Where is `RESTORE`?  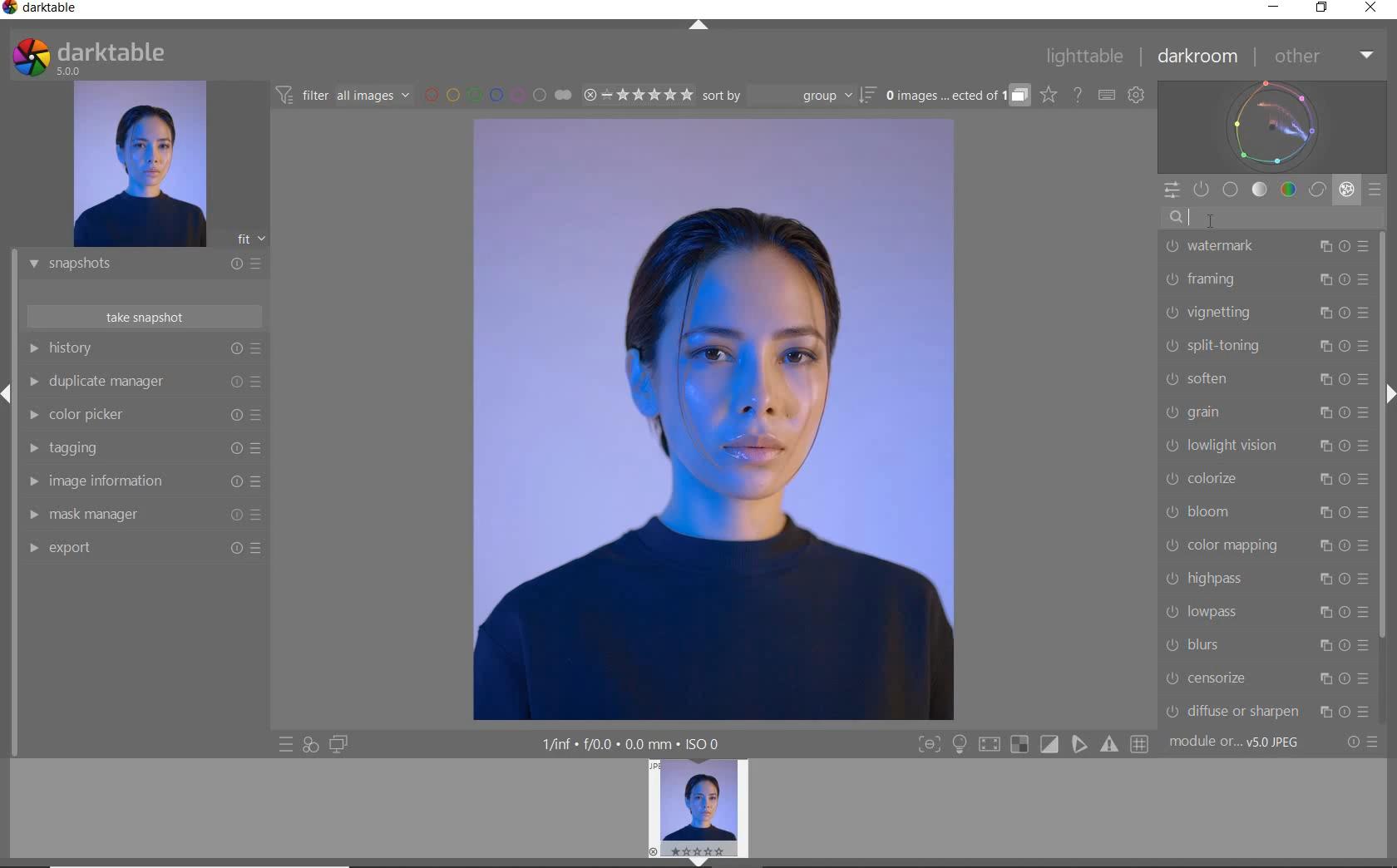 RESTORE is located at coordinates (1325, 8).